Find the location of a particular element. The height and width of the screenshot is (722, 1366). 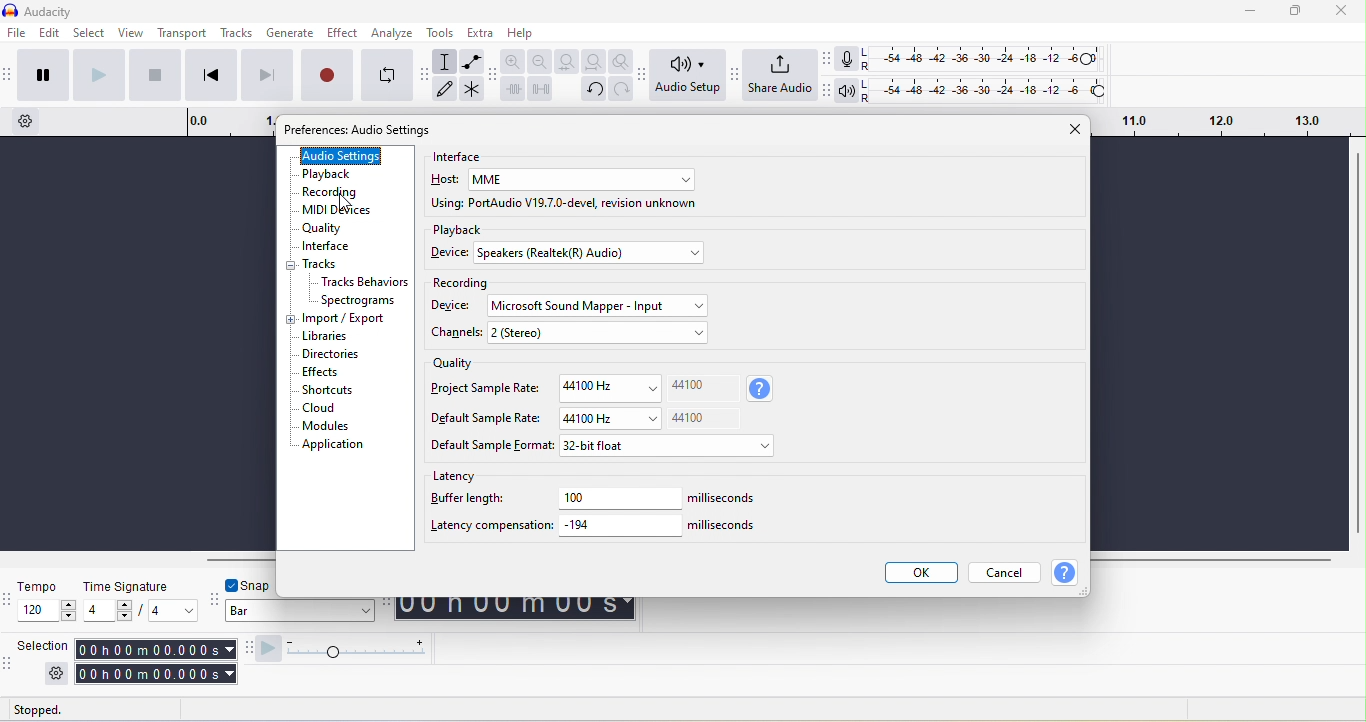

selection is located at coordinates (46, 661).